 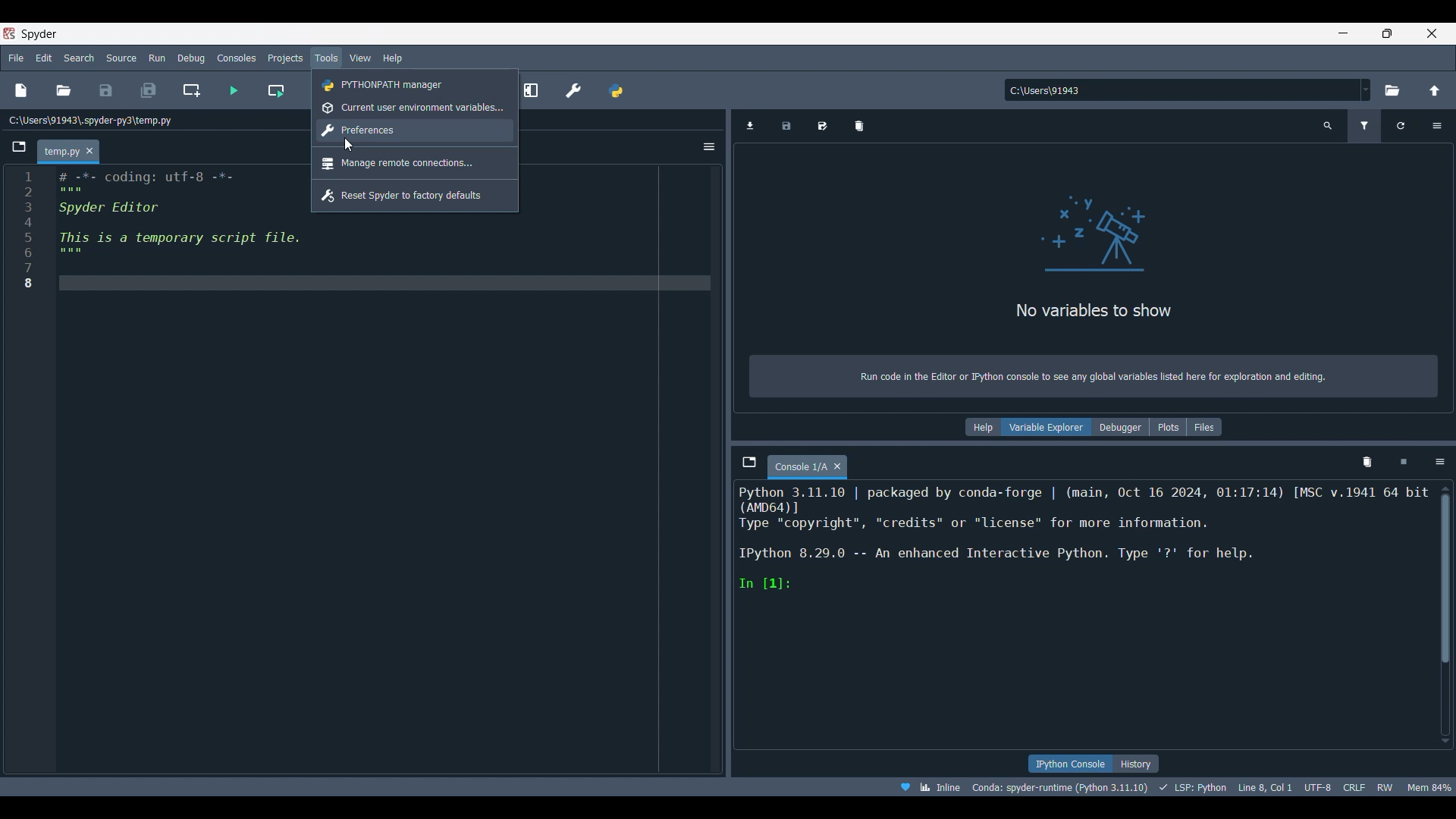 I want to click on Remove all variable, so click(x=859, y=127).